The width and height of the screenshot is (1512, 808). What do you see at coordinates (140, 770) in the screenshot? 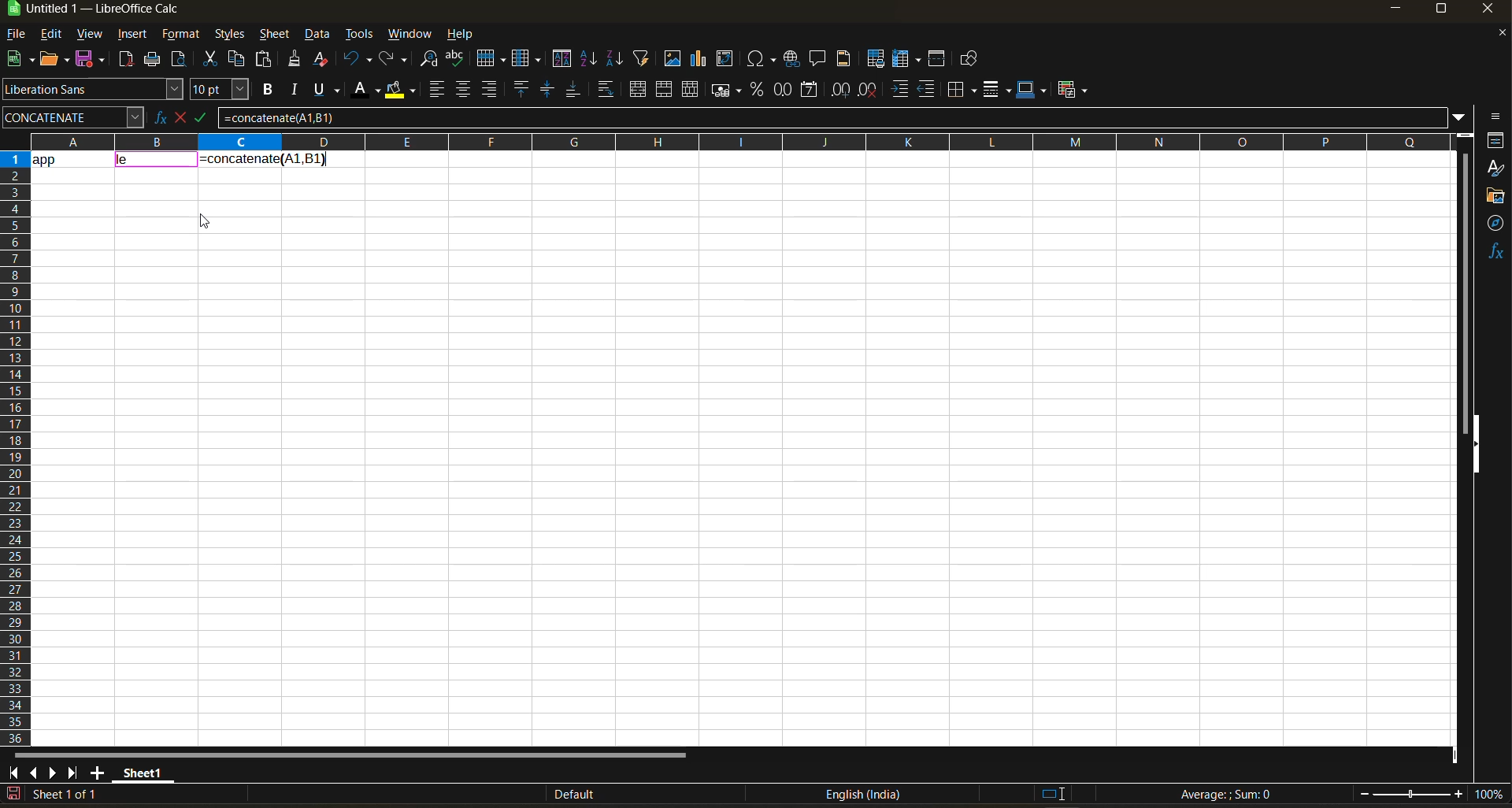
I see `sheet name` at bounding box center [140, 770].